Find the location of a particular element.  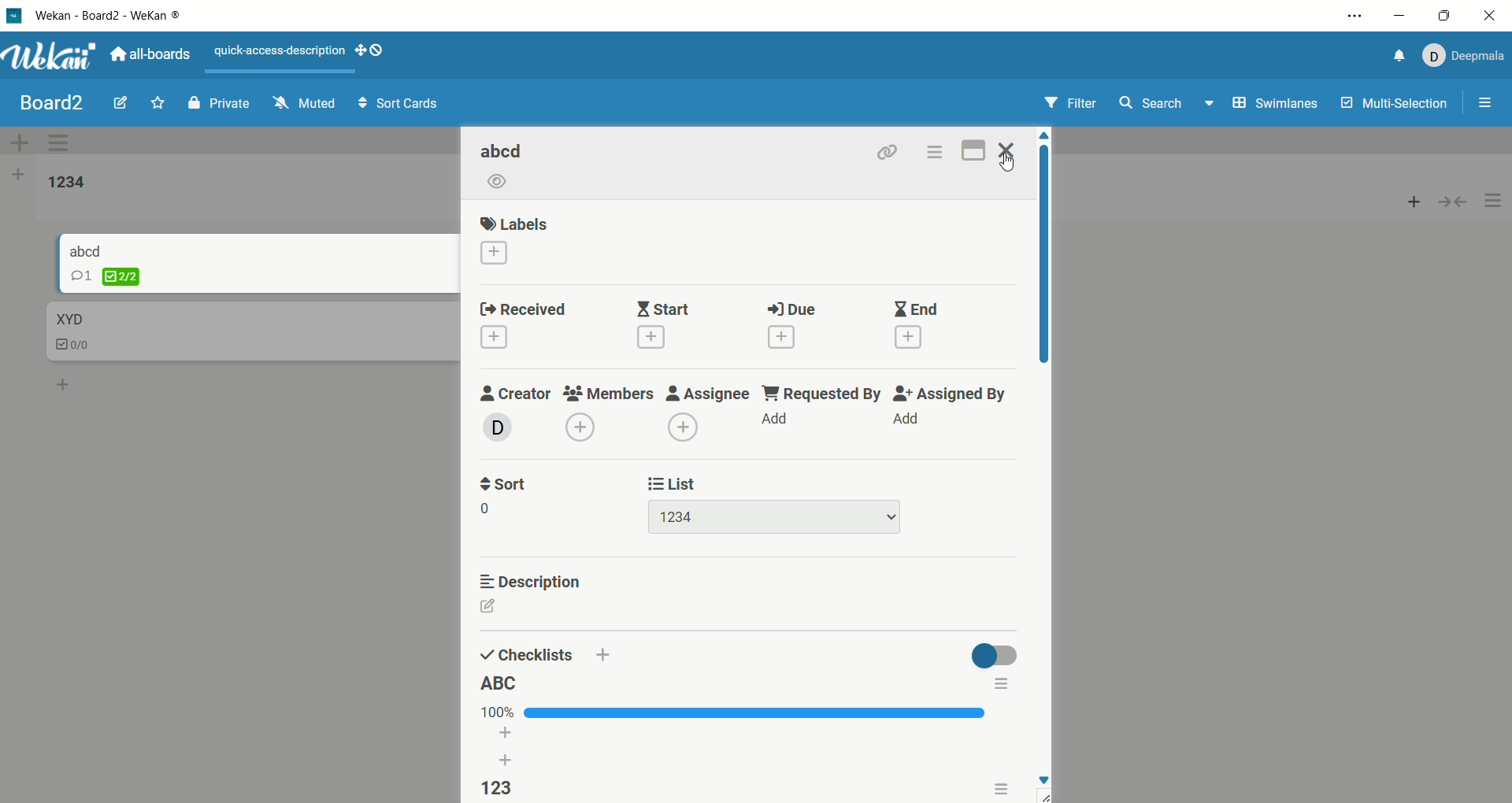

board title is located at coordinates (45, 102).